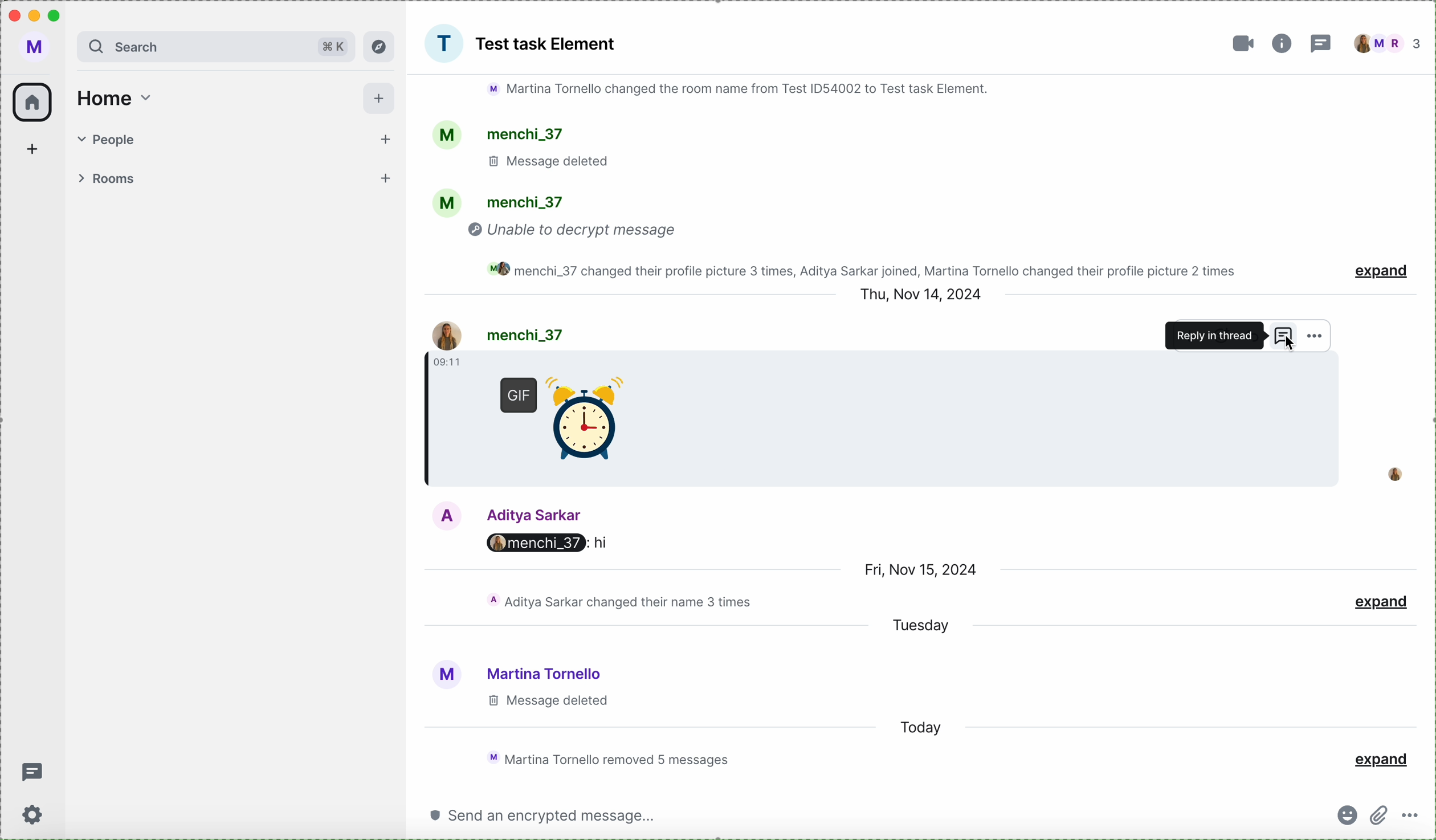  I want to click on user, so click(498, 335).